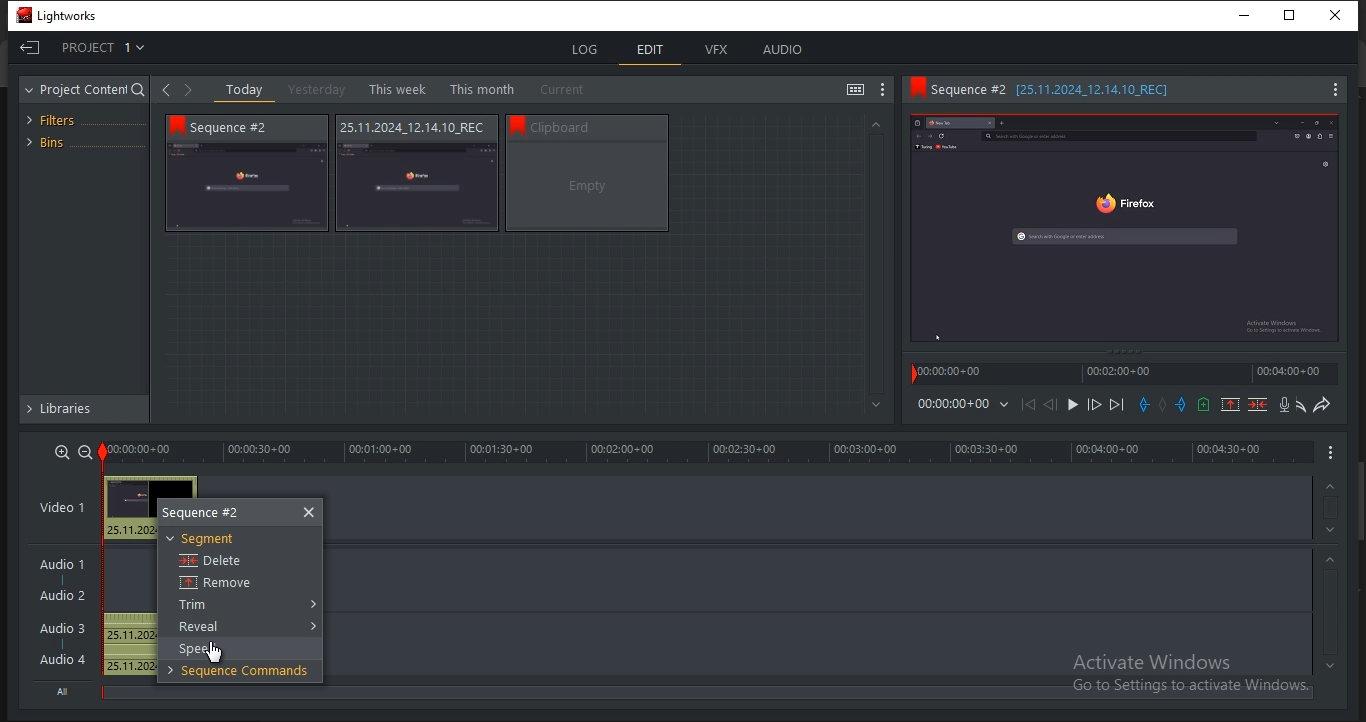  What do you see at coordinates (186, 93) in the screenshot?
I see `Forward` at bounding box center [186, 93].